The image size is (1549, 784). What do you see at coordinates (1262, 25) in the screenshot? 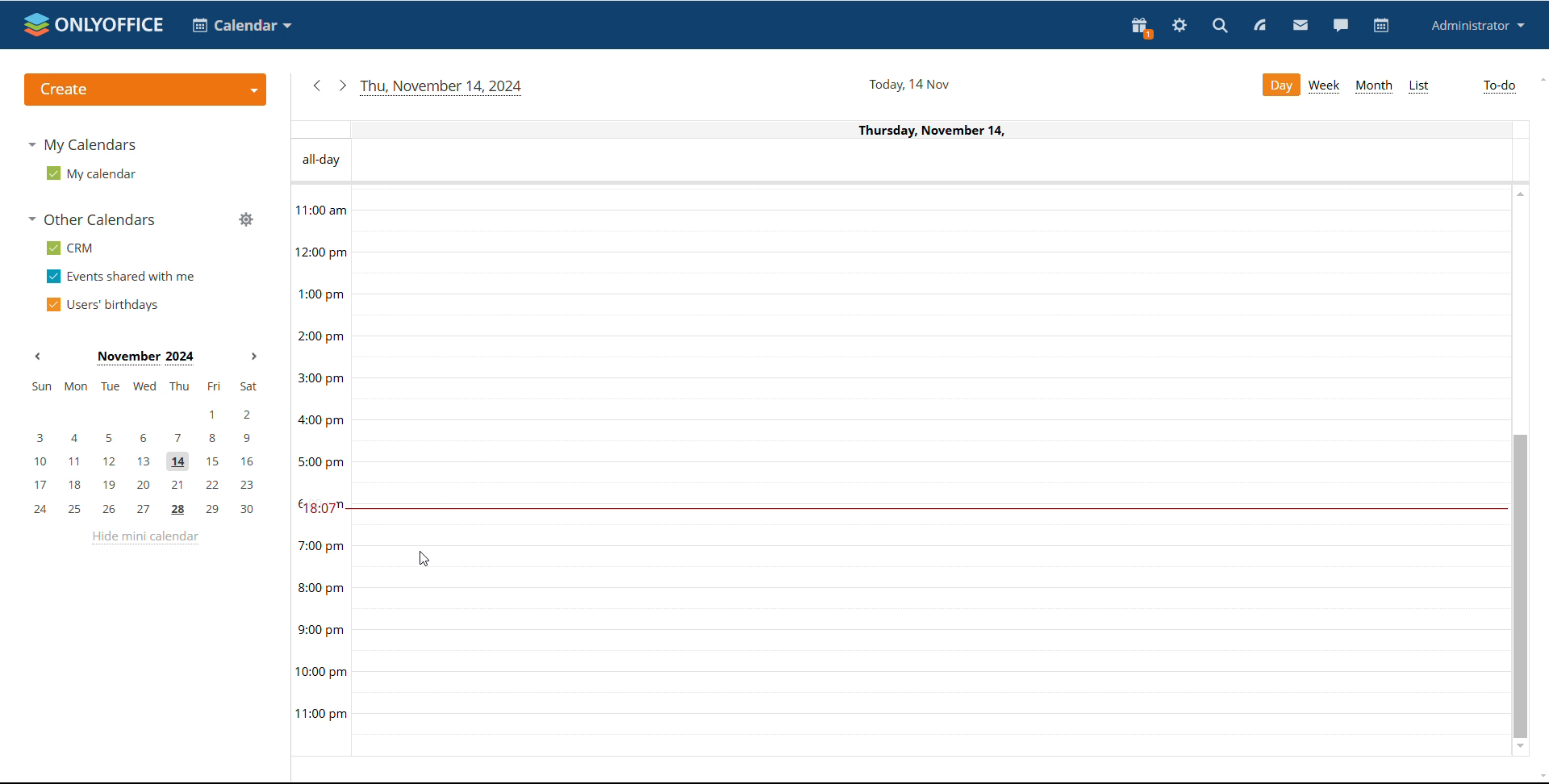
I see `feed` at bounding box center [1262, 25].